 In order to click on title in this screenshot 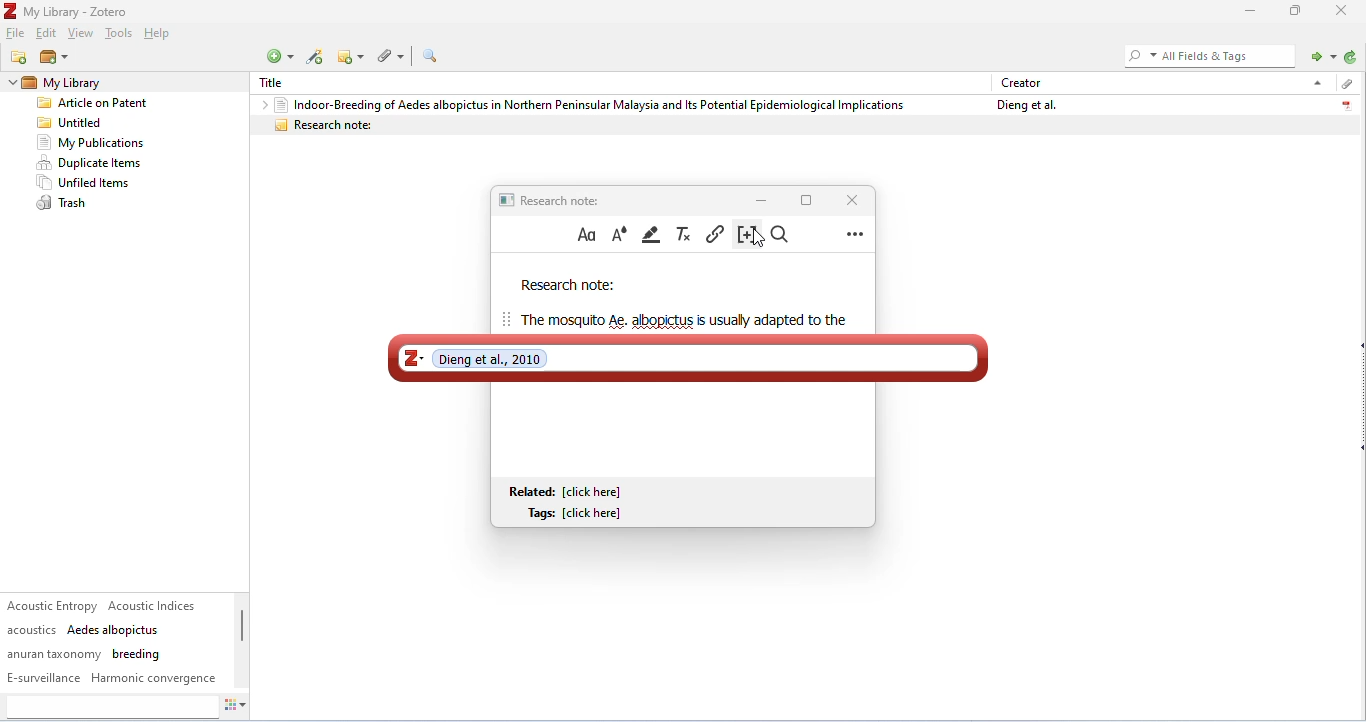, I will do `click(277, 83)`.